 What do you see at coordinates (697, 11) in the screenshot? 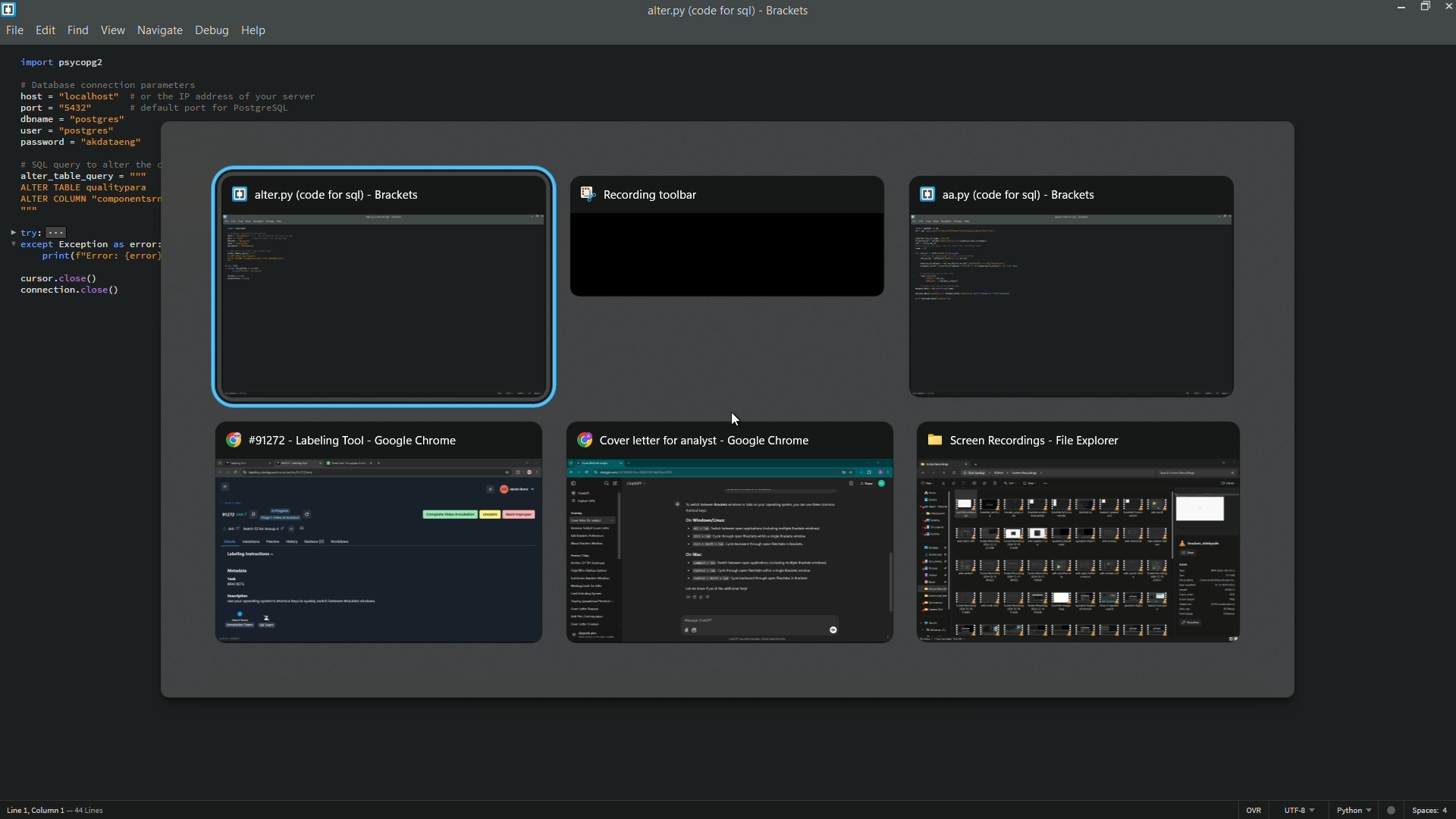
I see `file name` at bounding box center [697, 11].